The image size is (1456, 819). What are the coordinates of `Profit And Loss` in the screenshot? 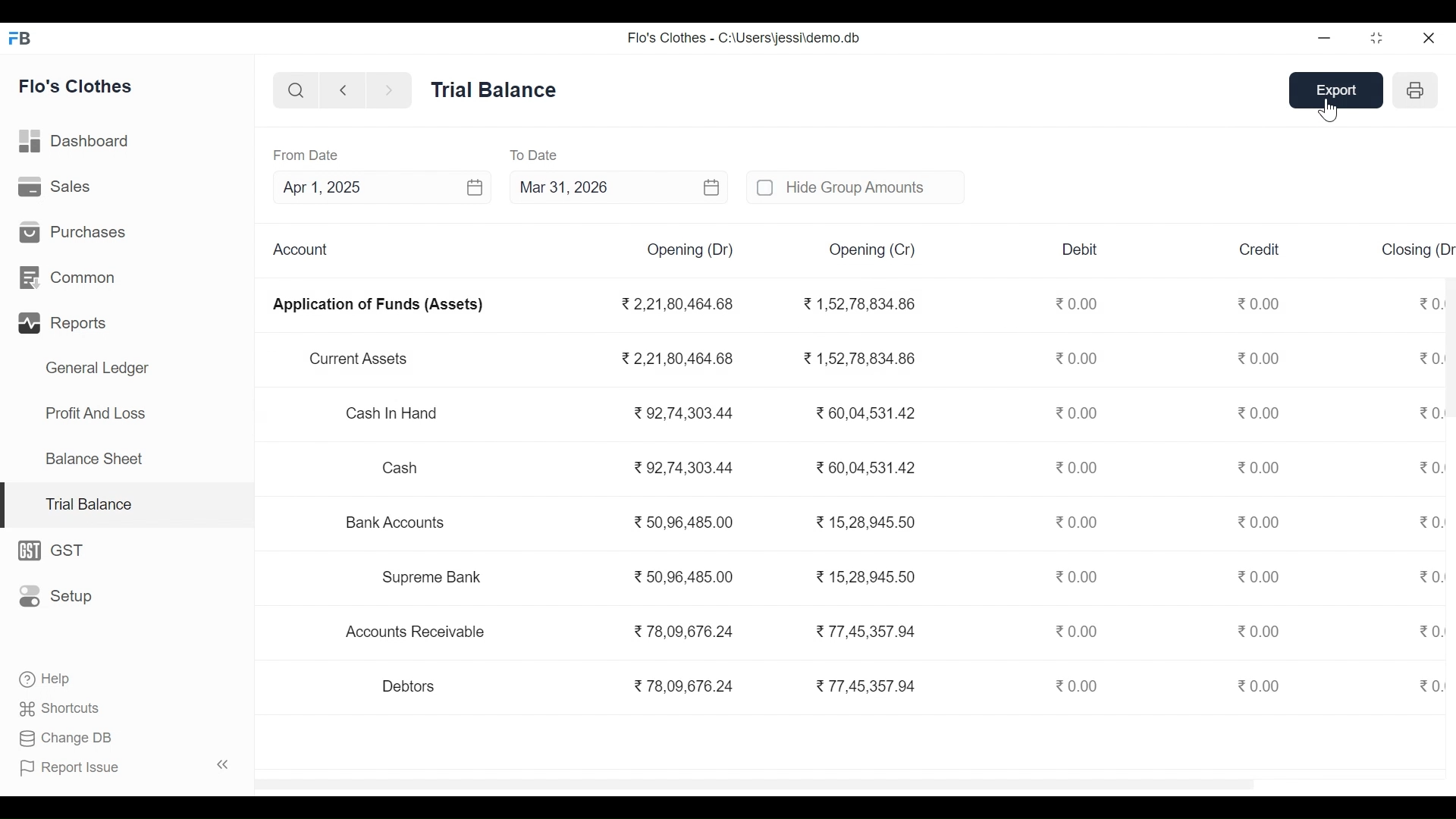 It's located at (96, 413).